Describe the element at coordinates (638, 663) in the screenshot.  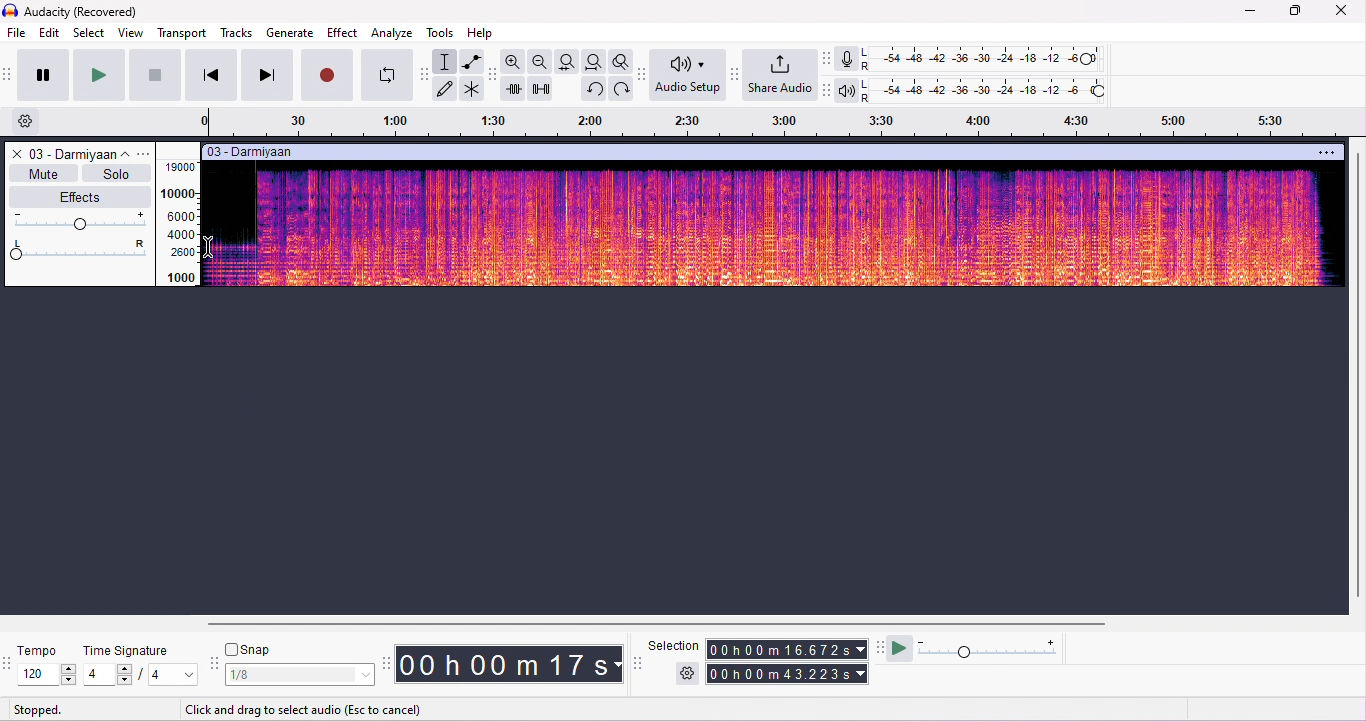
I see `selection tool bar` at that location.